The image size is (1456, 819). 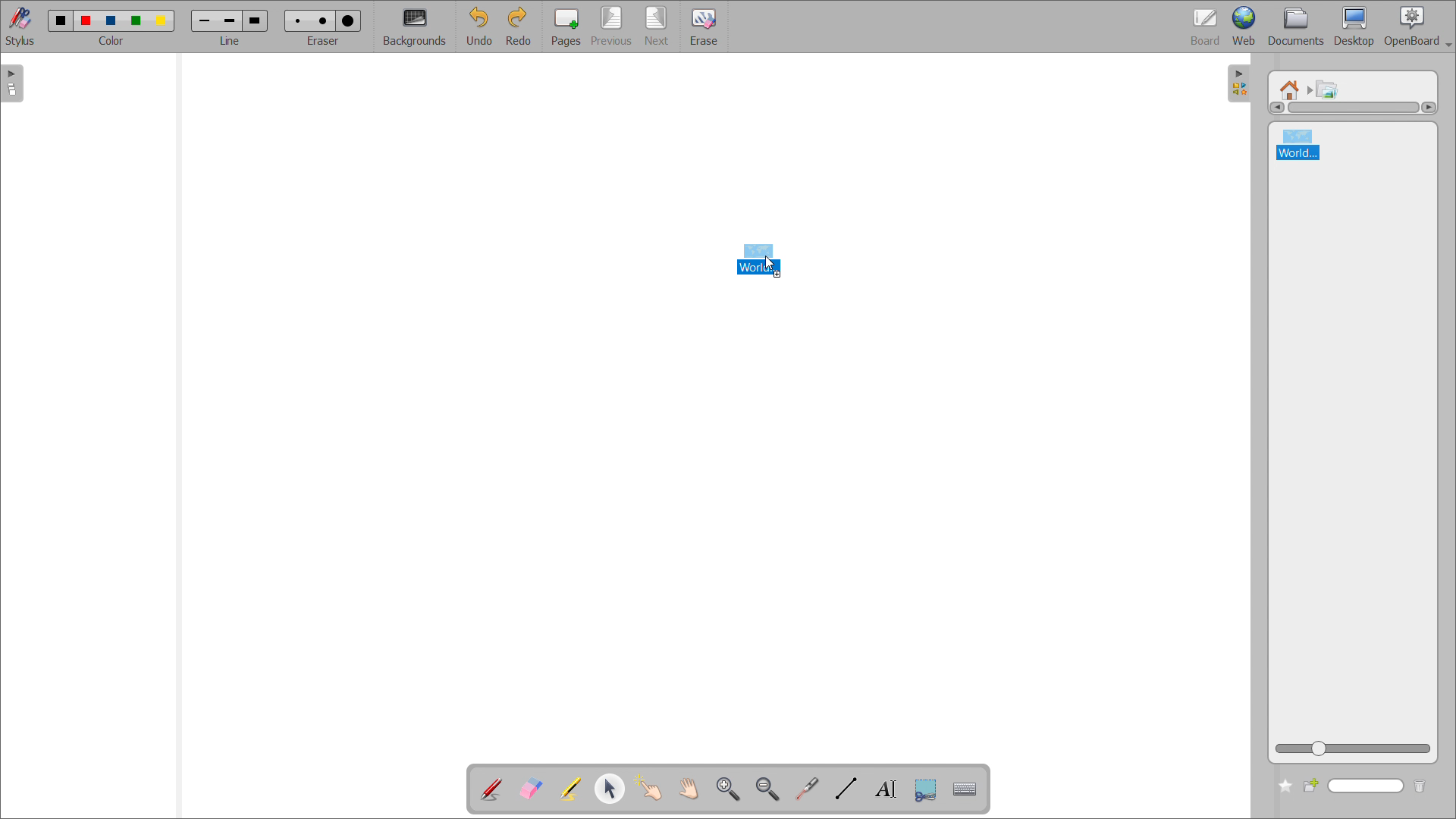 I want to click on zoom out, so click(x=767, y=789).